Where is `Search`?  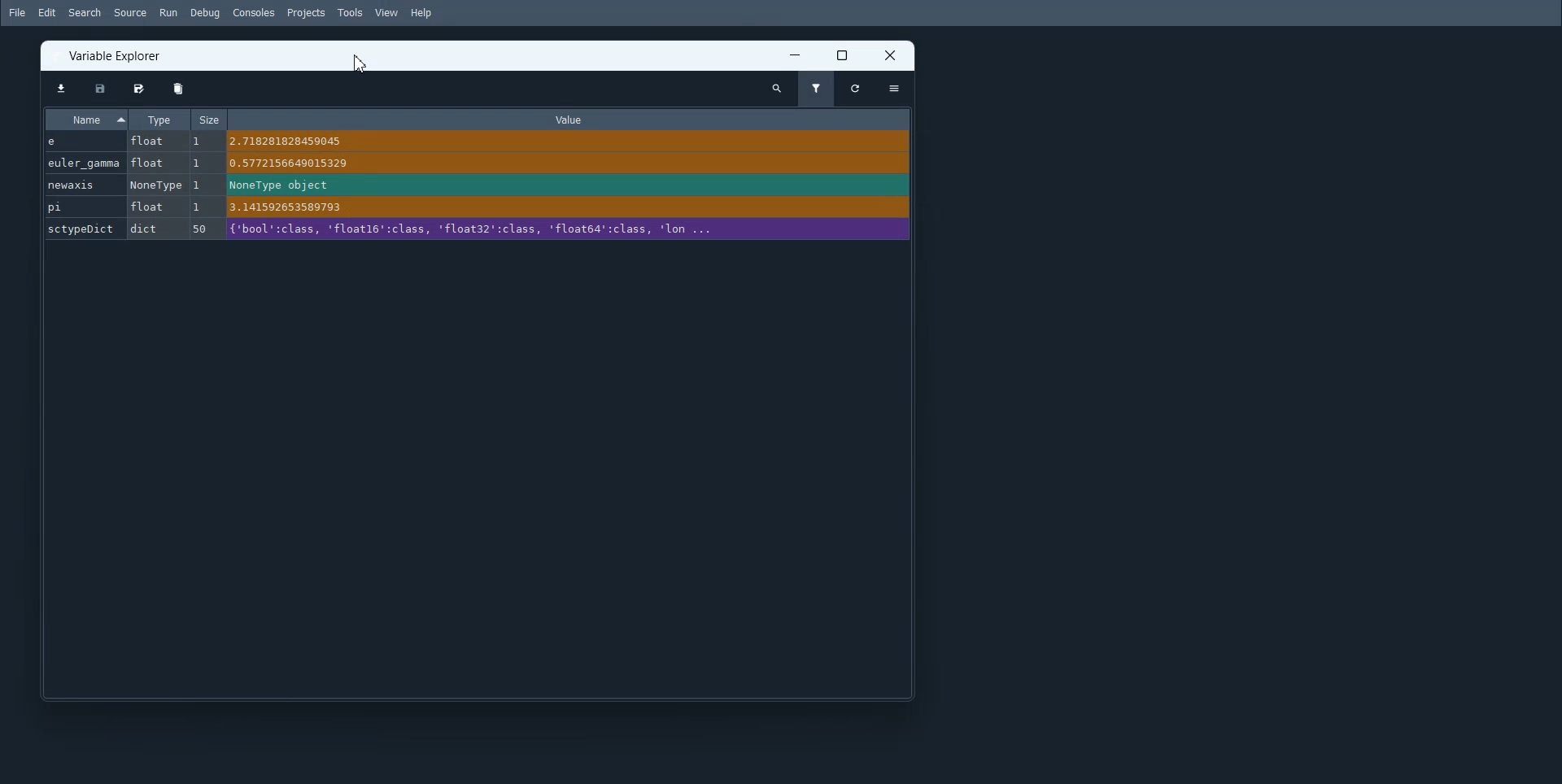
Search is located at coordinates (85, 12).